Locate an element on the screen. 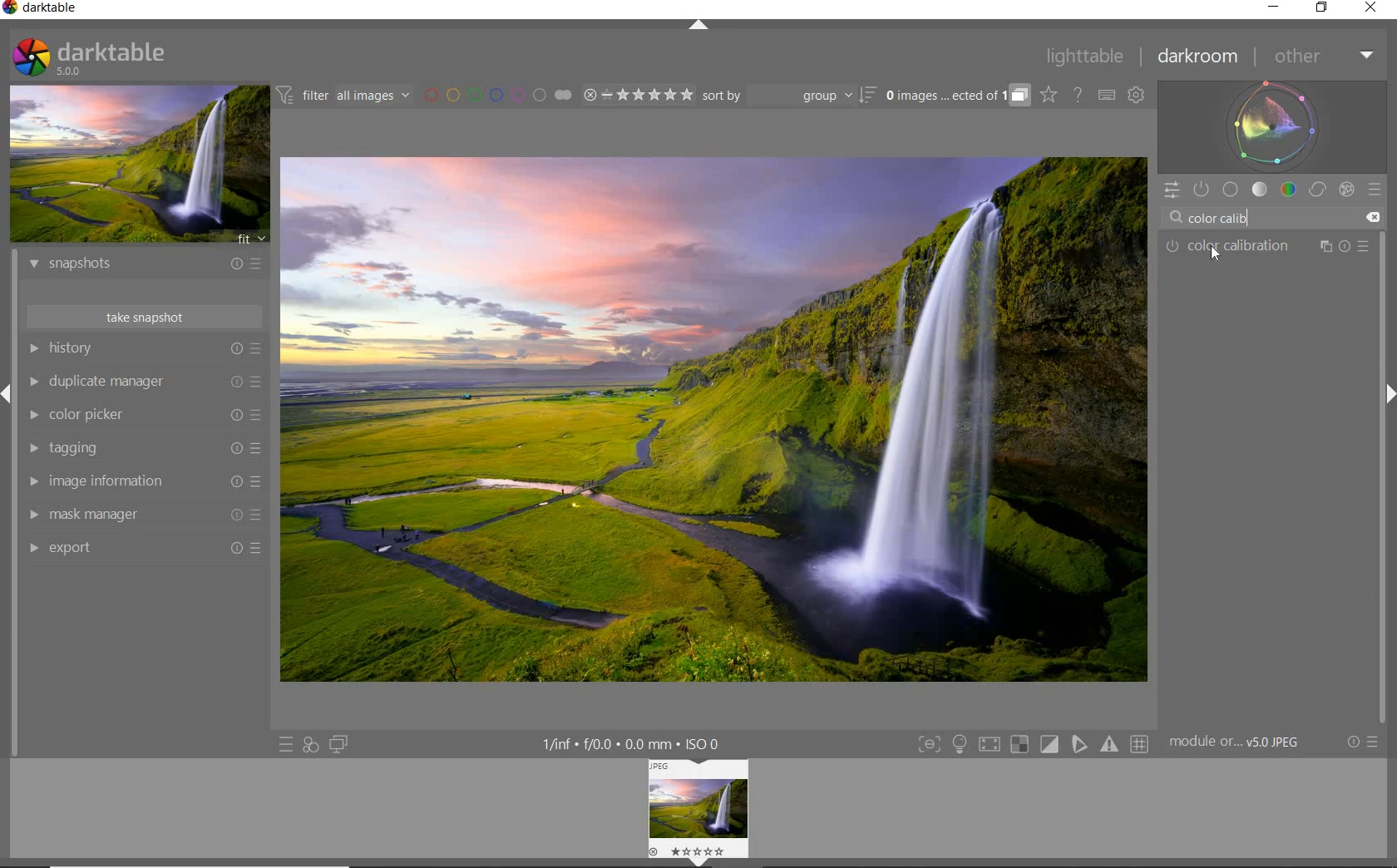 This screenshot has width=1397, height=868. other is located at coordinates (1320, 56).